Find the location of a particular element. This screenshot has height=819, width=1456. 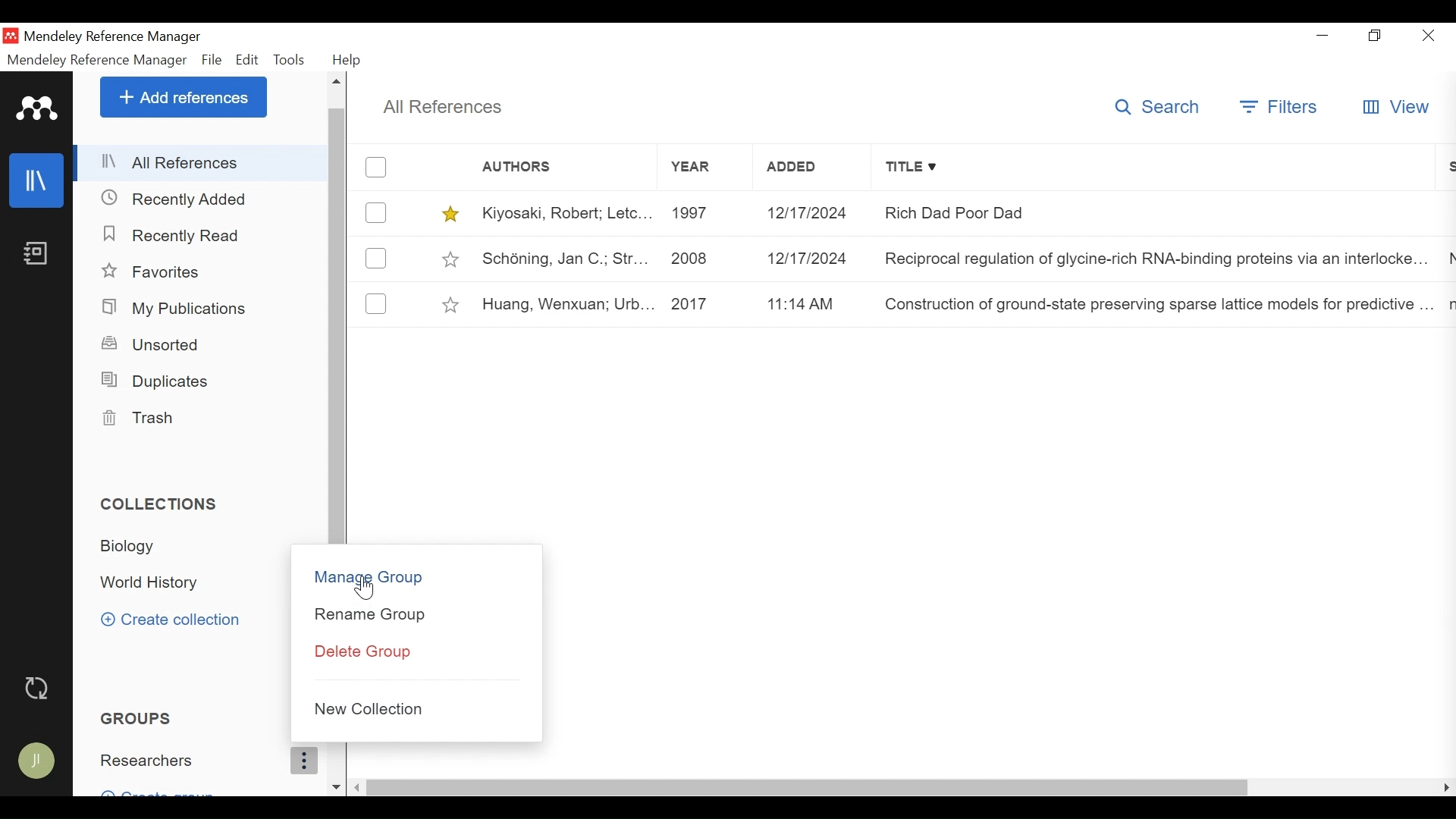

(un)select is located at coordinates (378, 167).